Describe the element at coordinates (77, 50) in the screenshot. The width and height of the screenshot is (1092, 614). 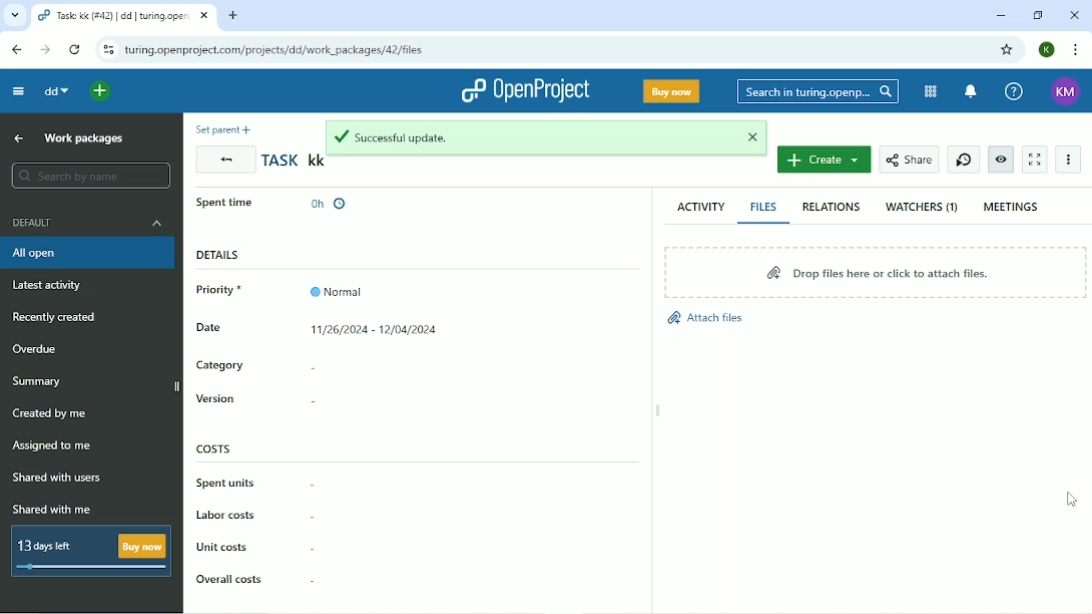
I see `Reload this page` at that location.